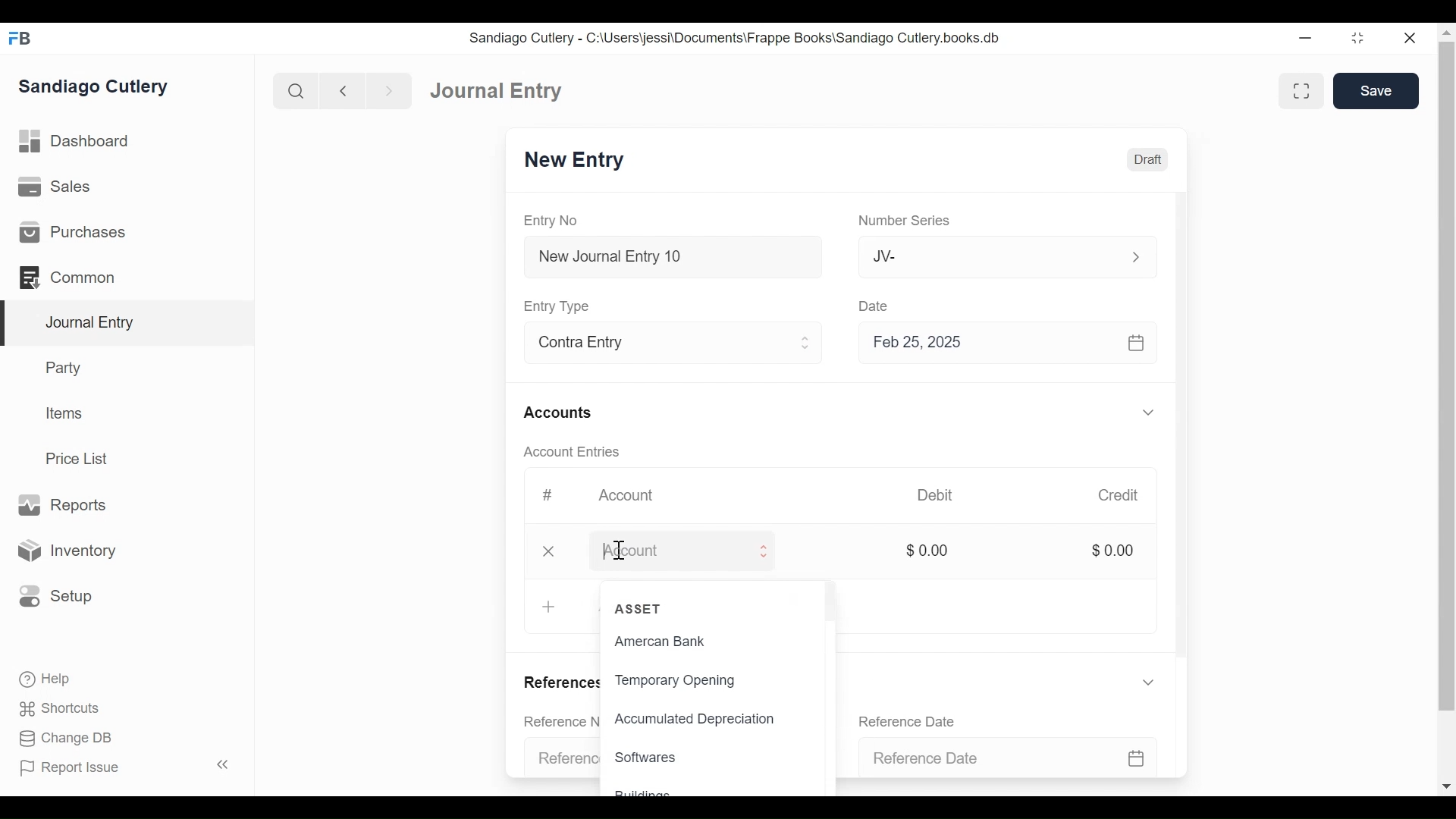  I want to click on Report Issue, so click(124, 767).